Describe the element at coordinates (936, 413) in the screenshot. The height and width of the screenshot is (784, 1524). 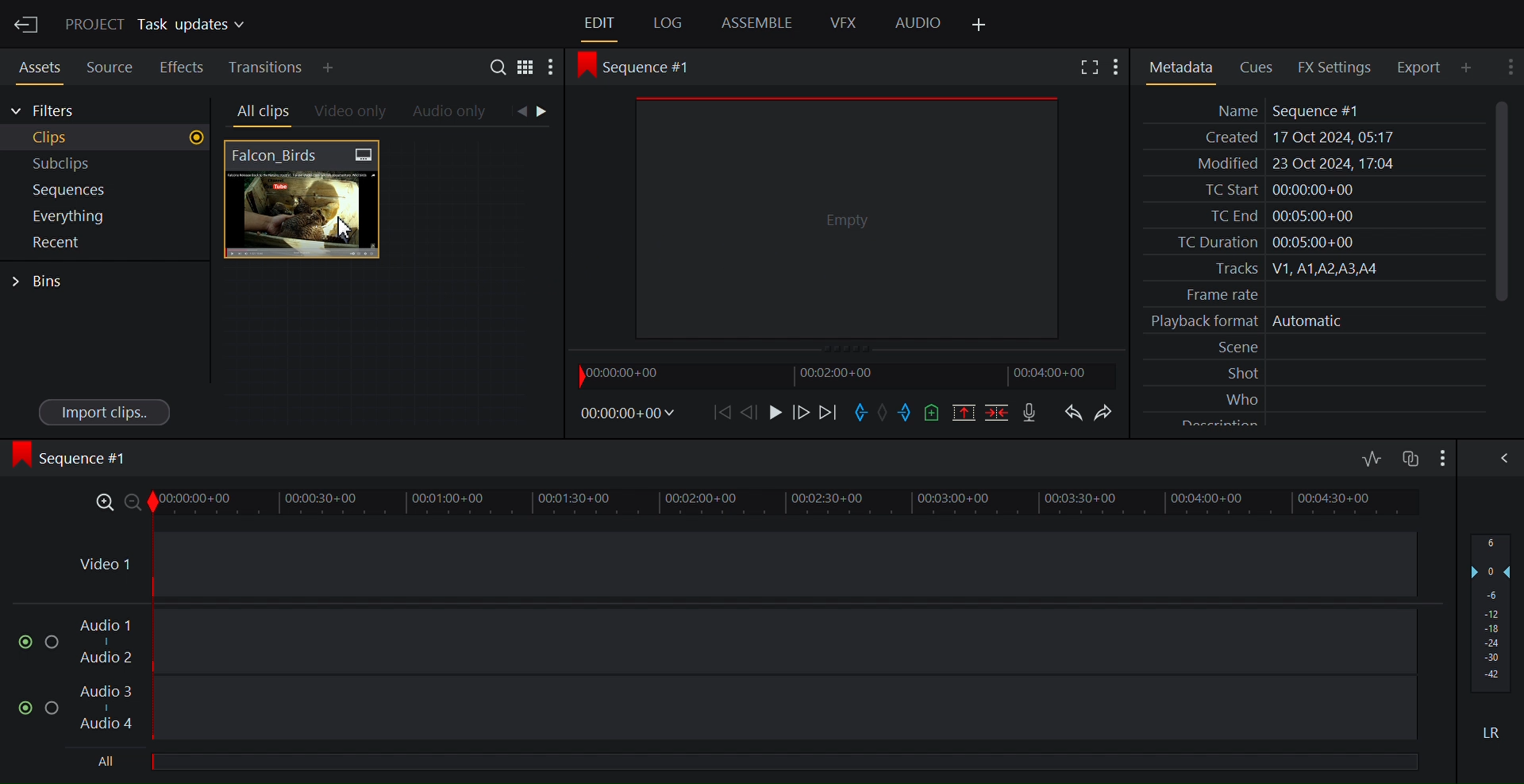
I see `Add a cue` at that location.